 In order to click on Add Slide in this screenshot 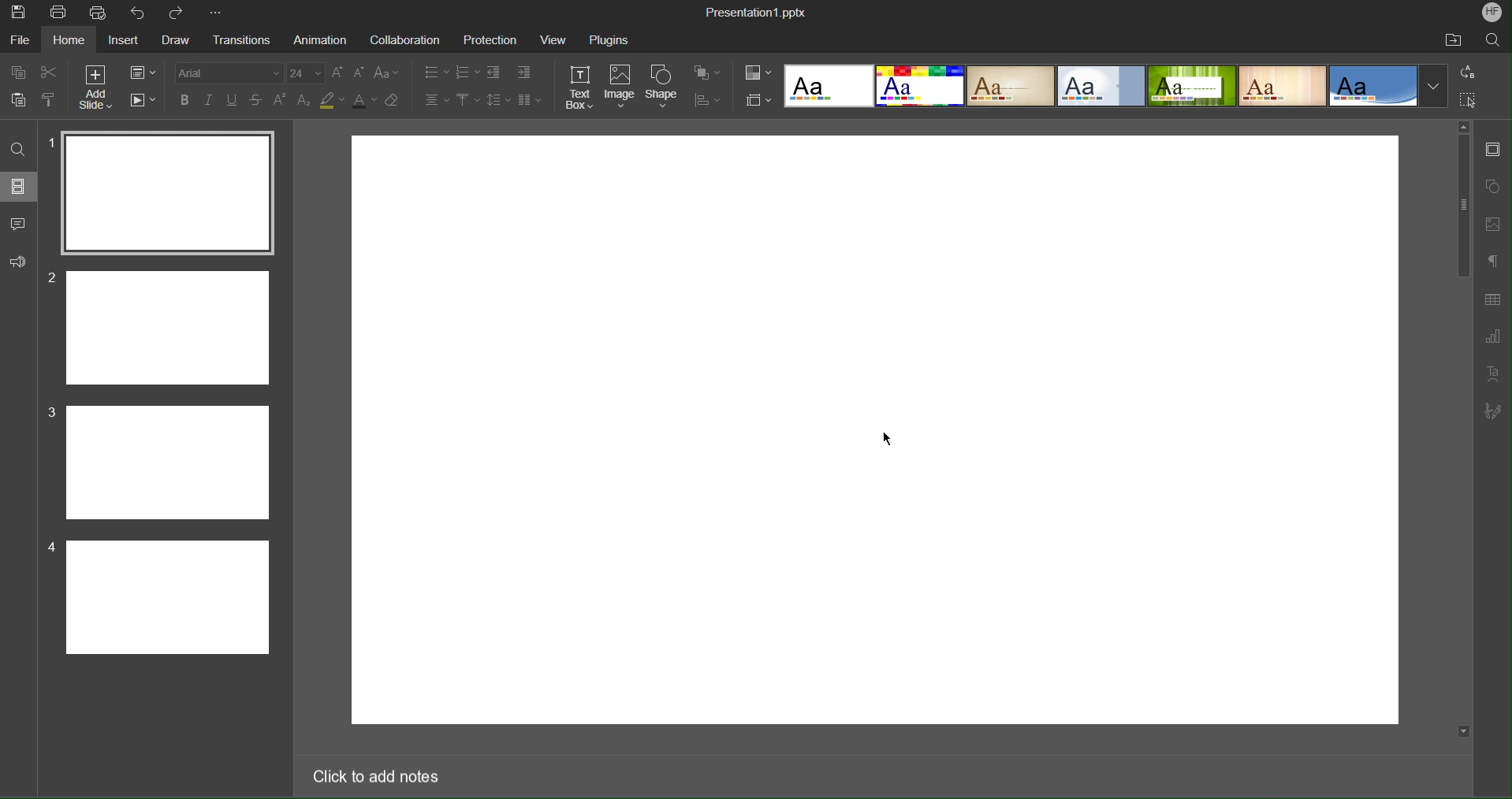, I will do `click(98, 85)`.